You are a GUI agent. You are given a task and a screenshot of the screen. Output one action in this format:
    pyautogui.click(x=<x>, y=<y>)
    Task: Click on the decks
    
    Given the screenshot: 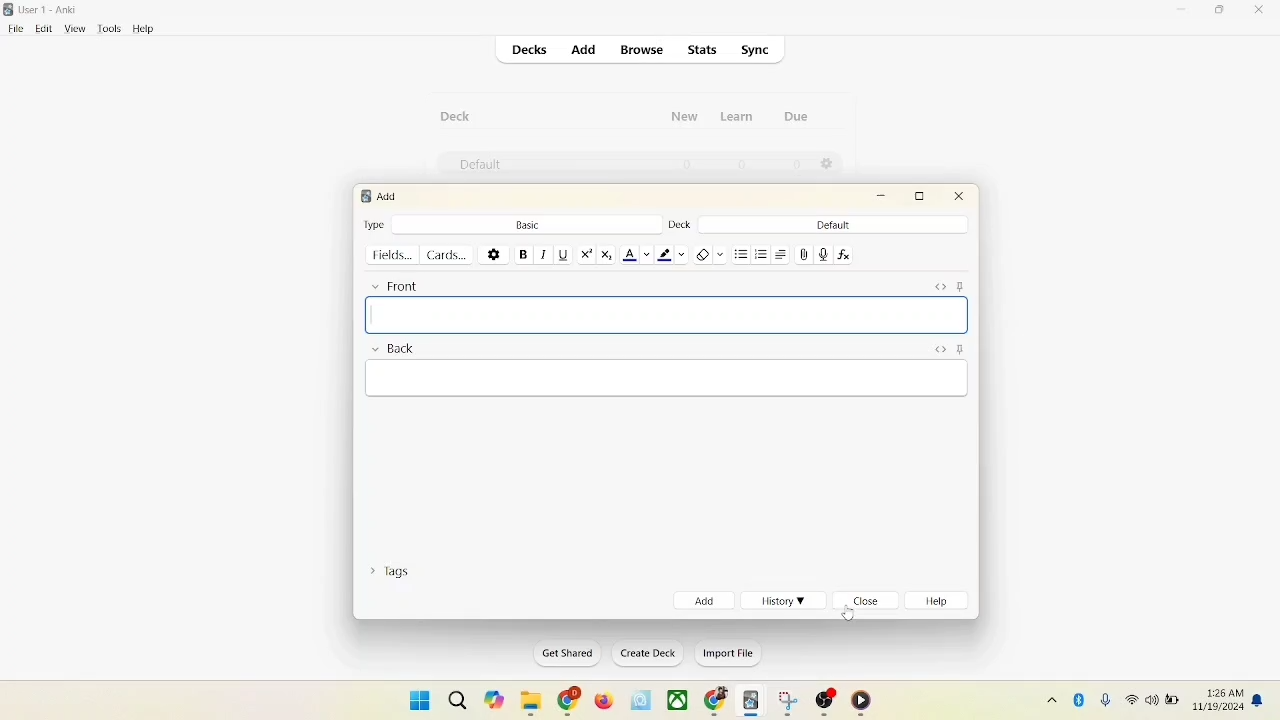 What is the action you would take?
    pyautogui.click(x=531, y=50)
    